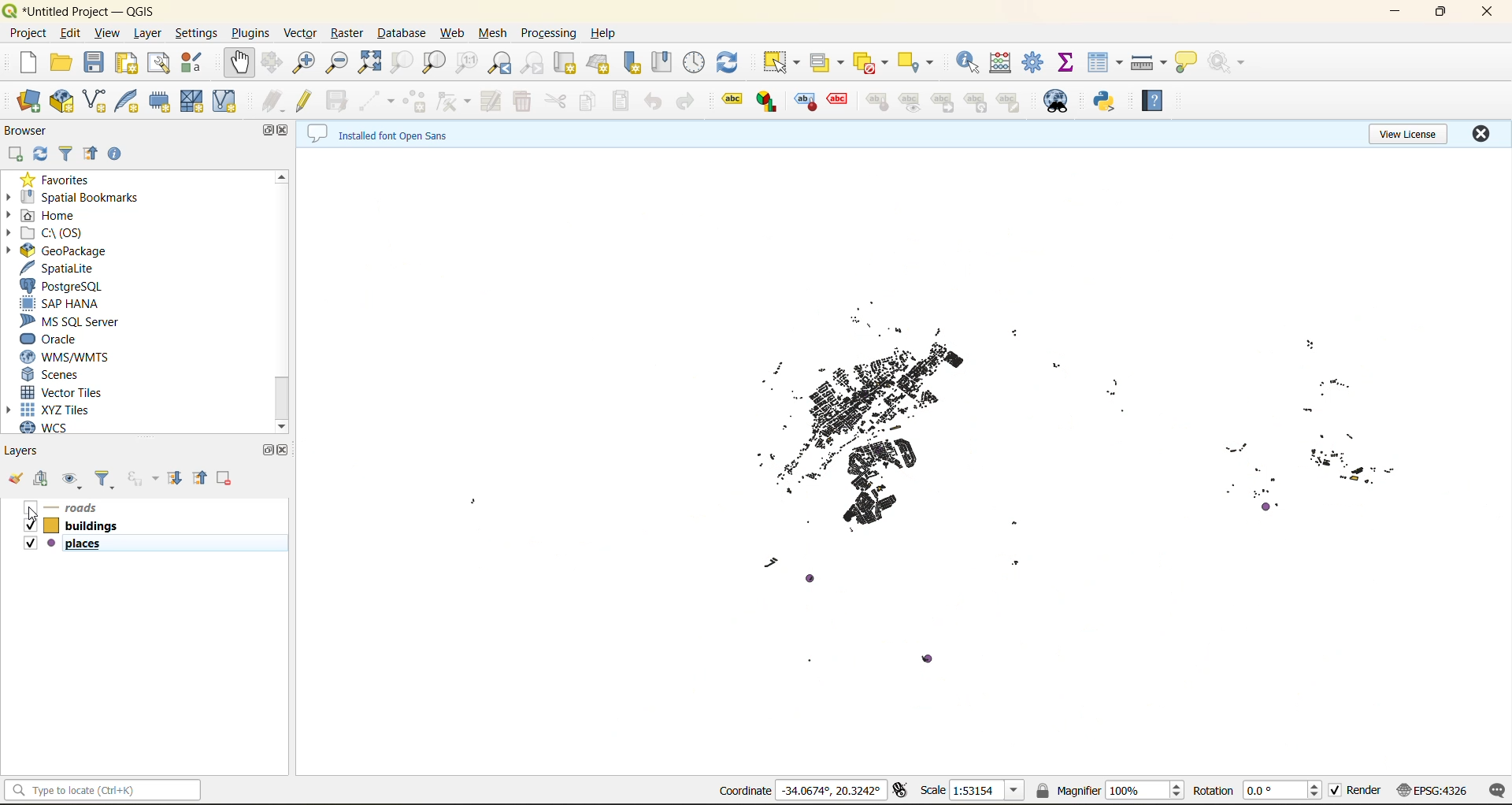 Image resolution: width=1512 pixels, height=805 pixels. What do you see at coordinates (599, 61) in the screenshot?
I see `new 3d map` at bounding box center [599, 61].